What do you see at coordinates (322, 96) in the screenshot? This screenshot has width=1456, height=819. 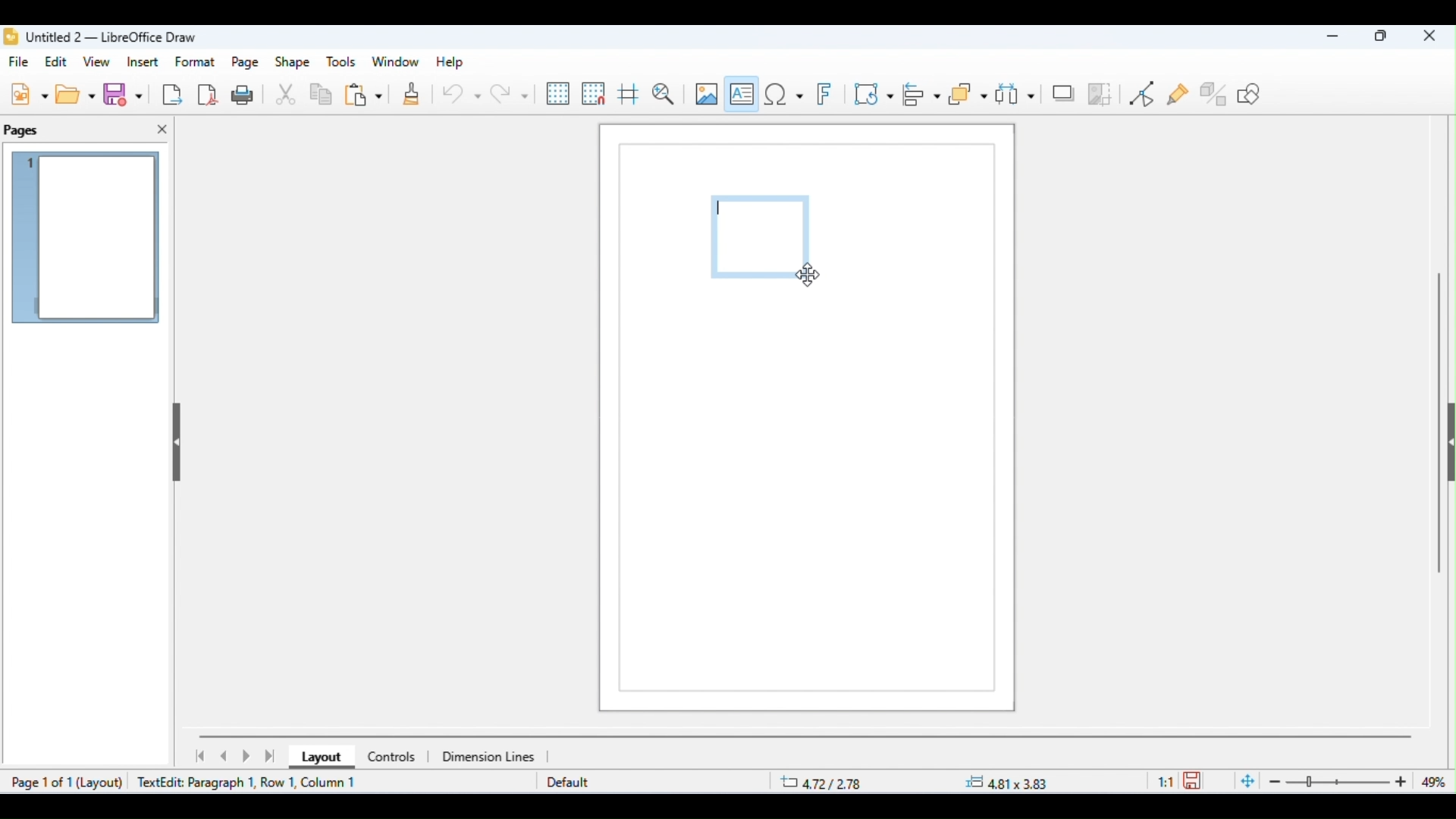 I see `copy` at bounding box center [322, 96].